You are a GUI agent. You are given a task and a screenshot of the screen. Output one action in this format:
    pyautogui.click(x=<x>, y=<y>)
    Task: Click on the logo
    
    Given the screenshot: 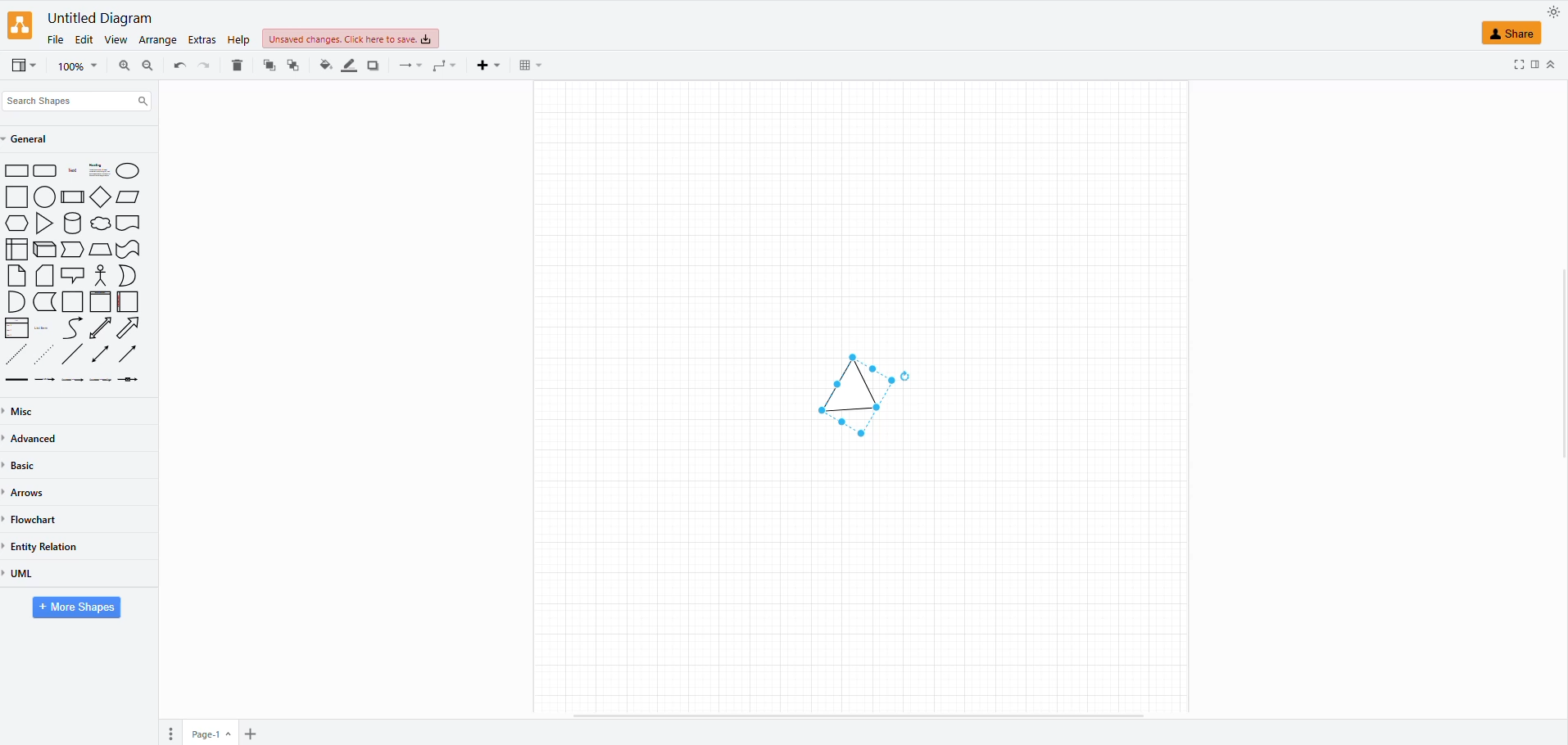 What is the action you would take?
    pyautogui.click(x=21, y=26)
    